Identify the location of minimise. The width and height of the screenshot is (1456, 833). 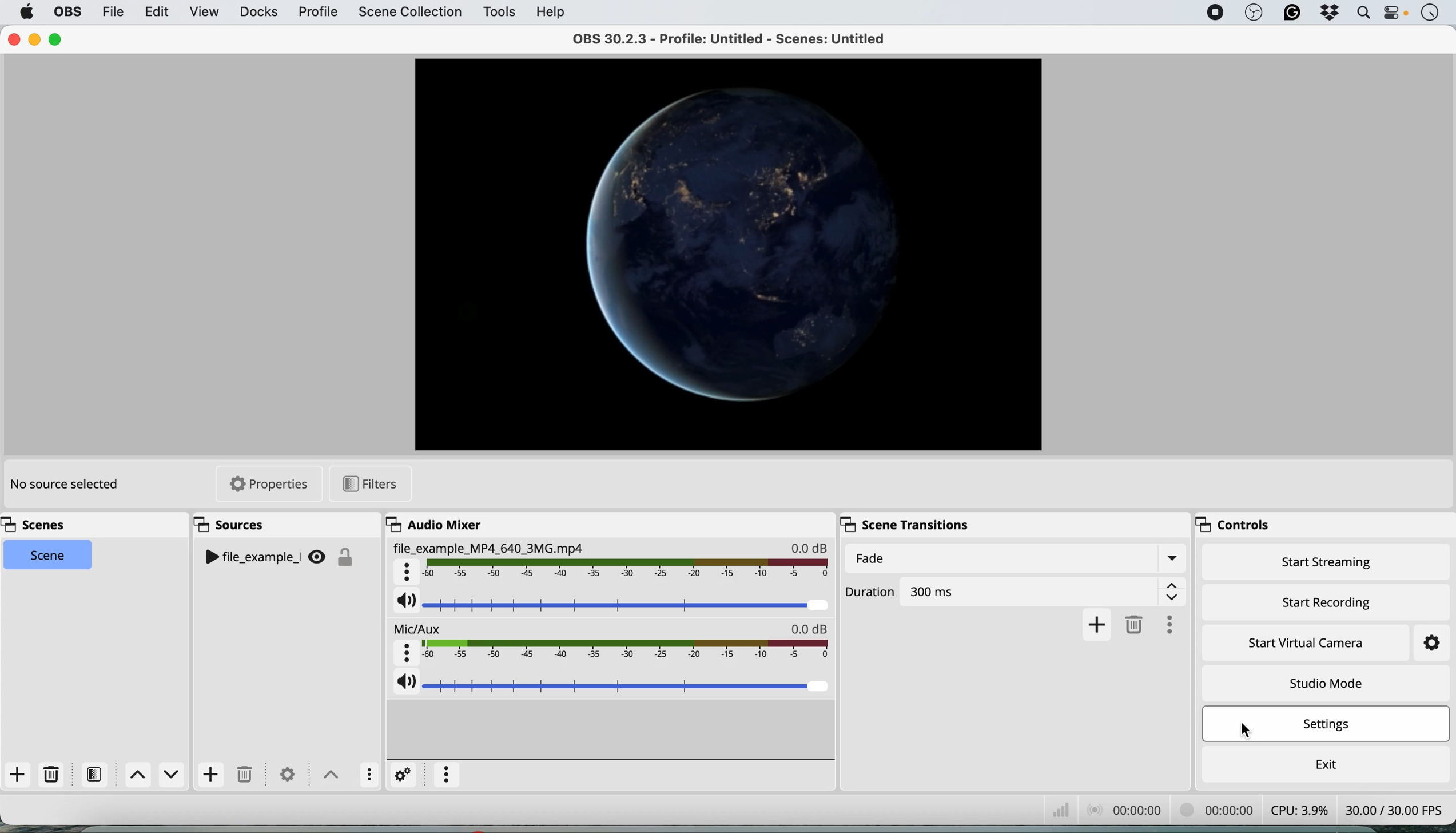
(38, 39).